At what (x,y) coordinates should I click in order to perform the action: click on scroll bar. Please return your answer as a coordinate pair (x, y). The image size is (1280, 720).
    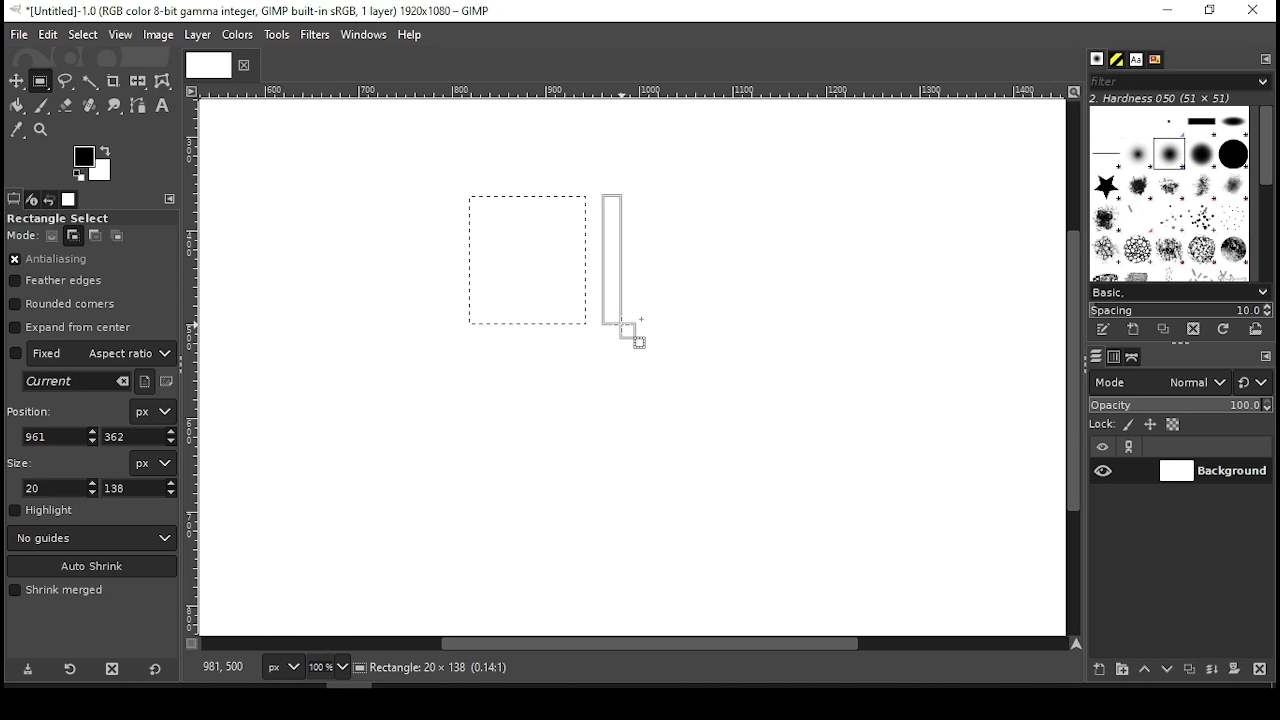
    Looking at the image, I should click on (634, 645).